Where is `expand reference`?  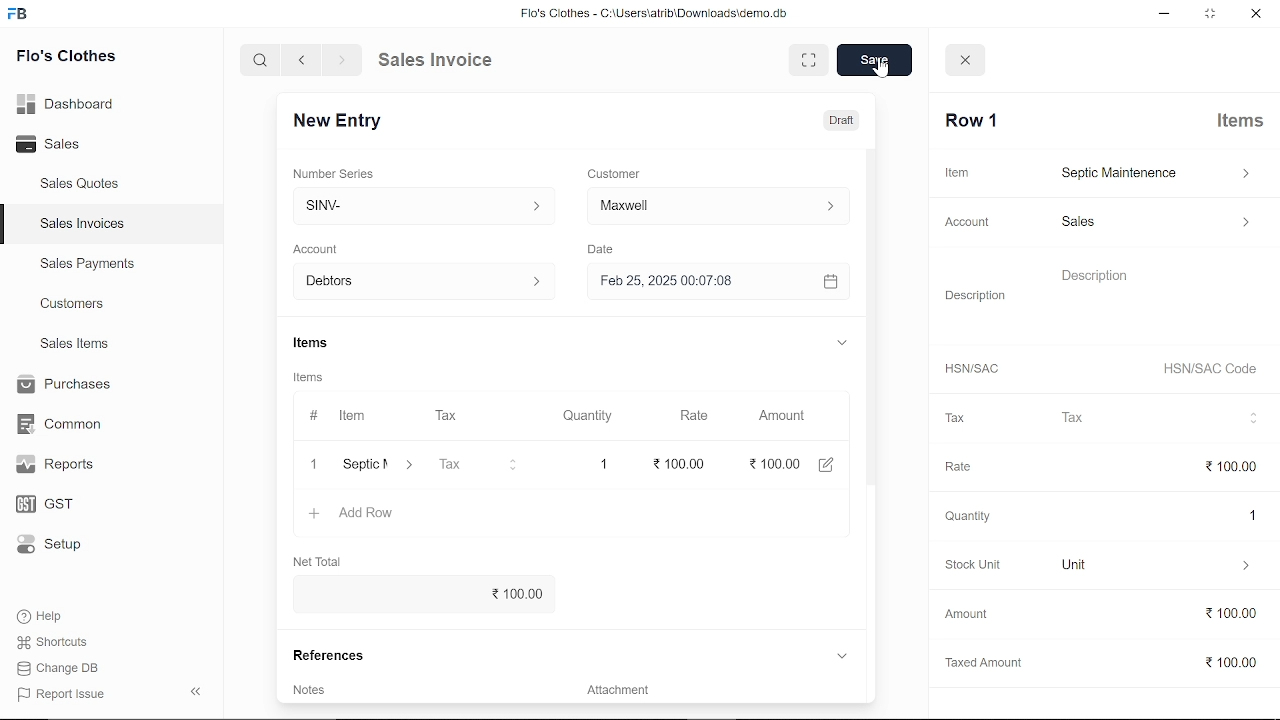
expand reference is located at coordinates (841, 656).